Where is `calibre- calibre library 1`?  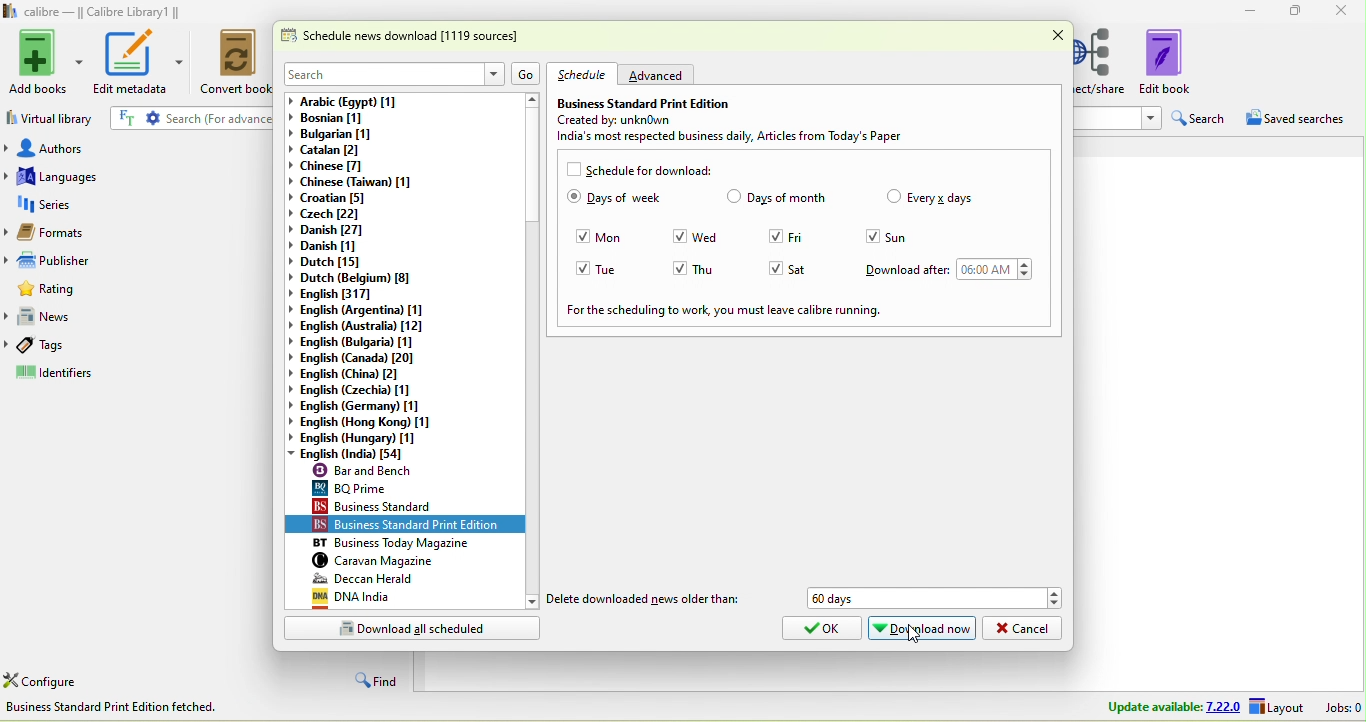 calibre- calibre library 1 is located at coordinates (103, 13).